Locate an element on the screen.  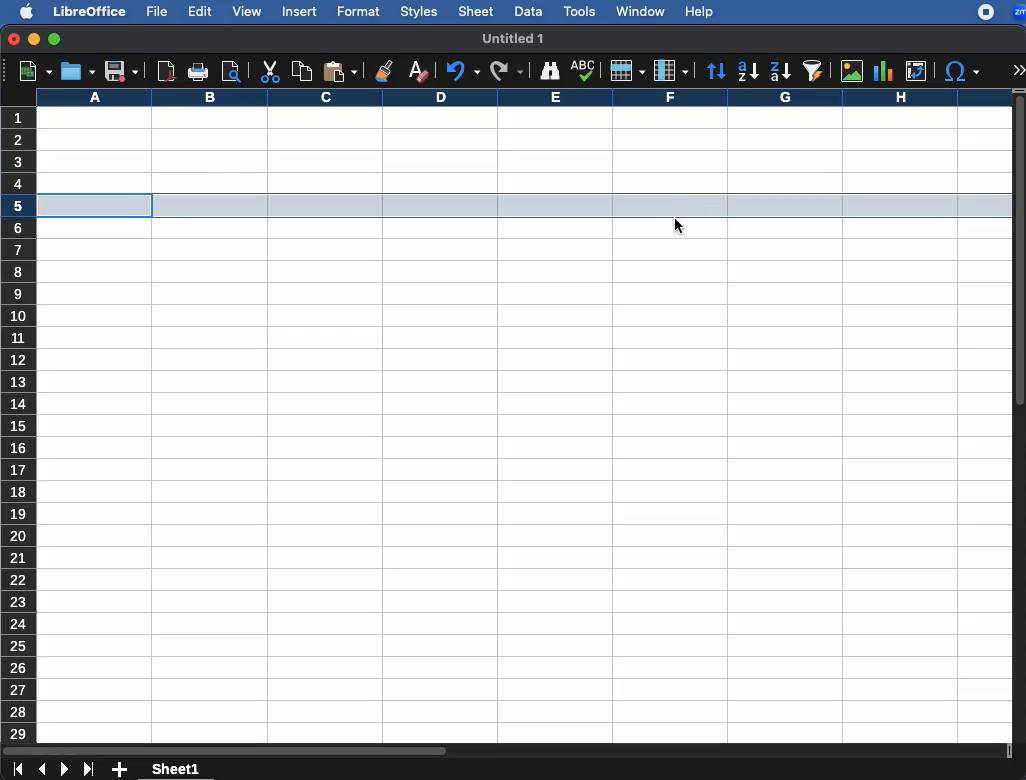
window is located at coordinates (641, 10).